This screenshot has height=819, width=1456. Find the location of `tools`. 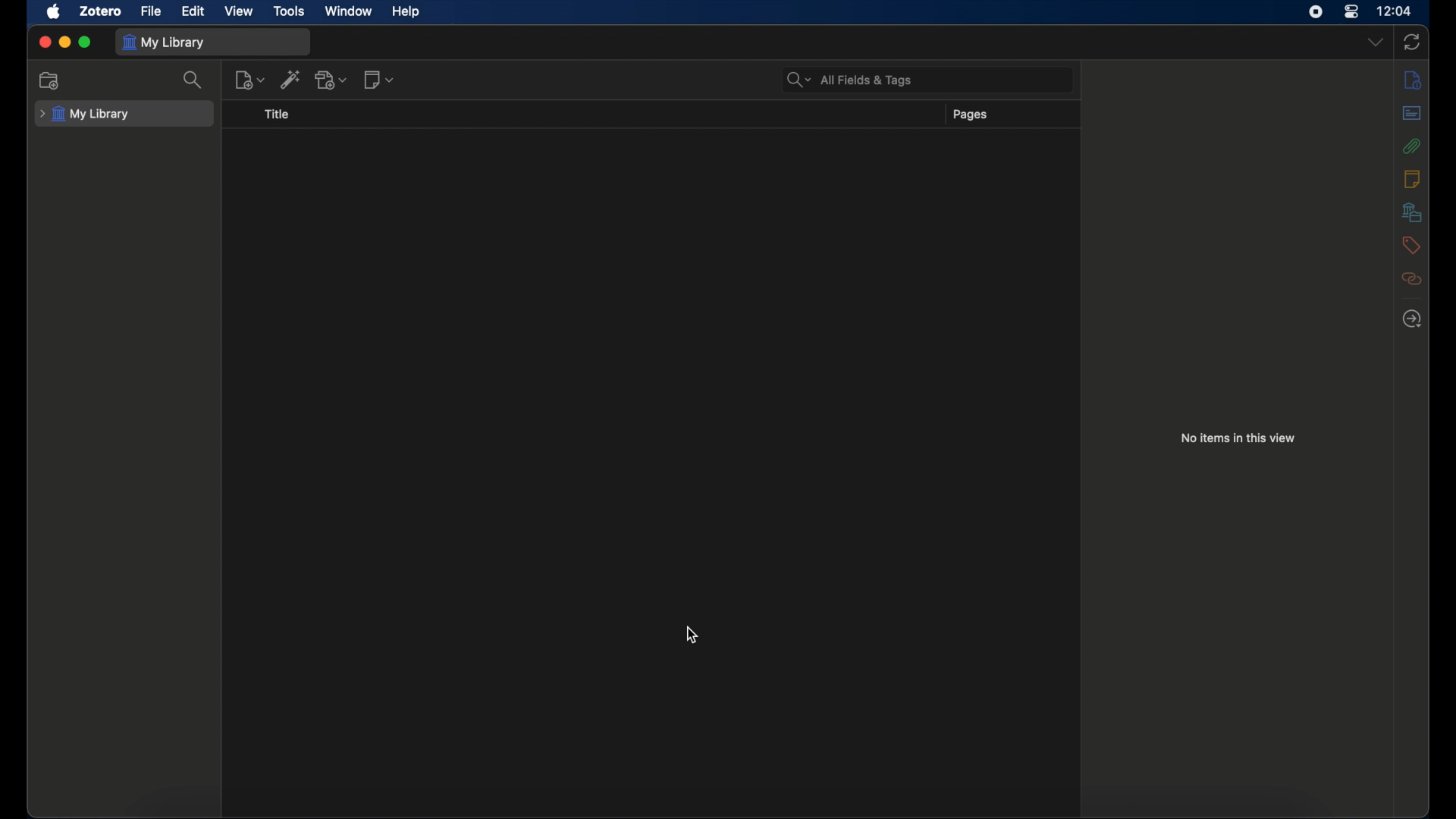

tools is located at coordinates (290, 11).